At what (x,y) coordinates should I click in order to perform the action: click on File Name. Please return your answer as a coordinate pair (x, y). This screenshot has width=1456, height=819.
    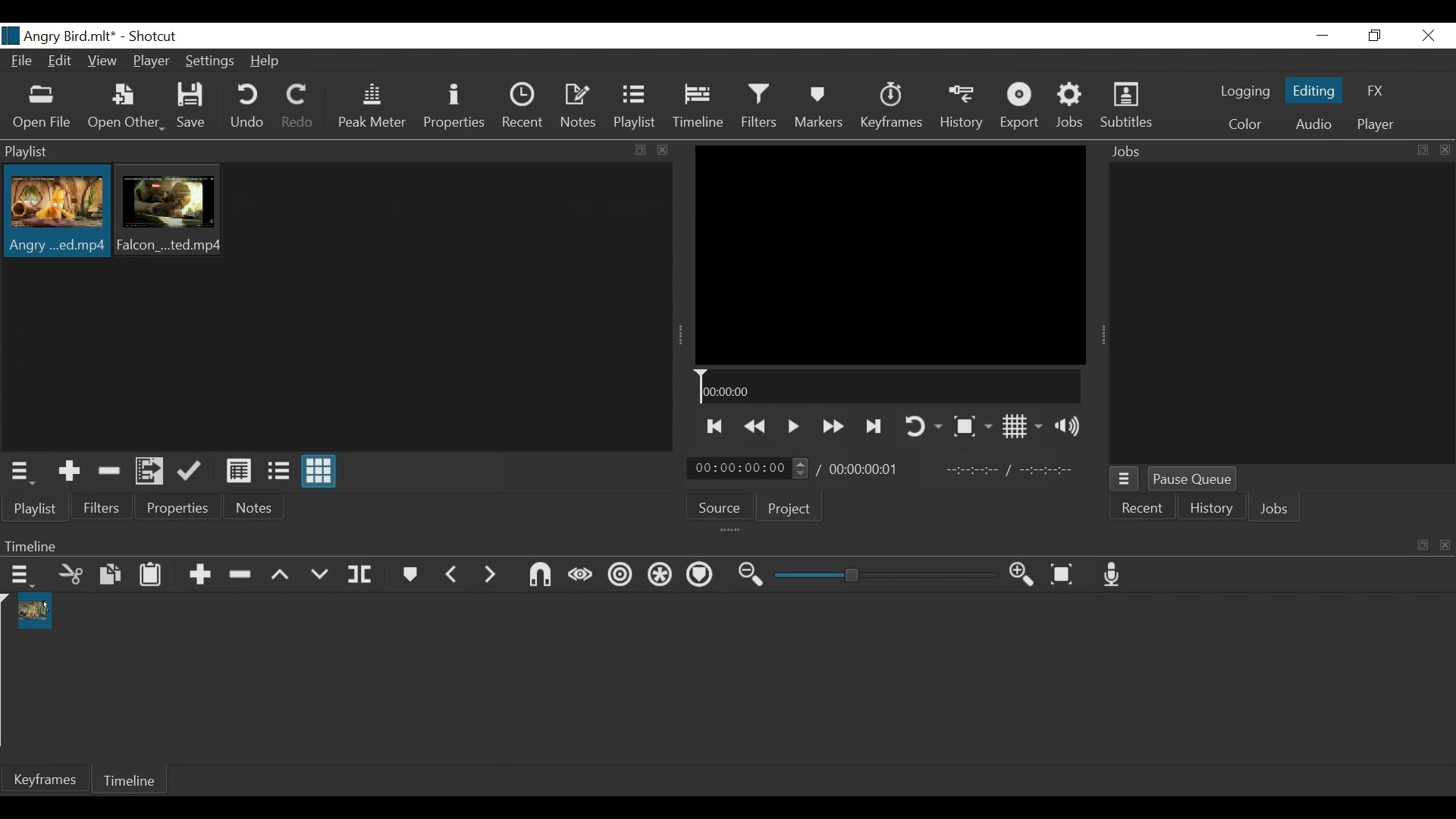
    Looking at the image, I should click on (58, 36).